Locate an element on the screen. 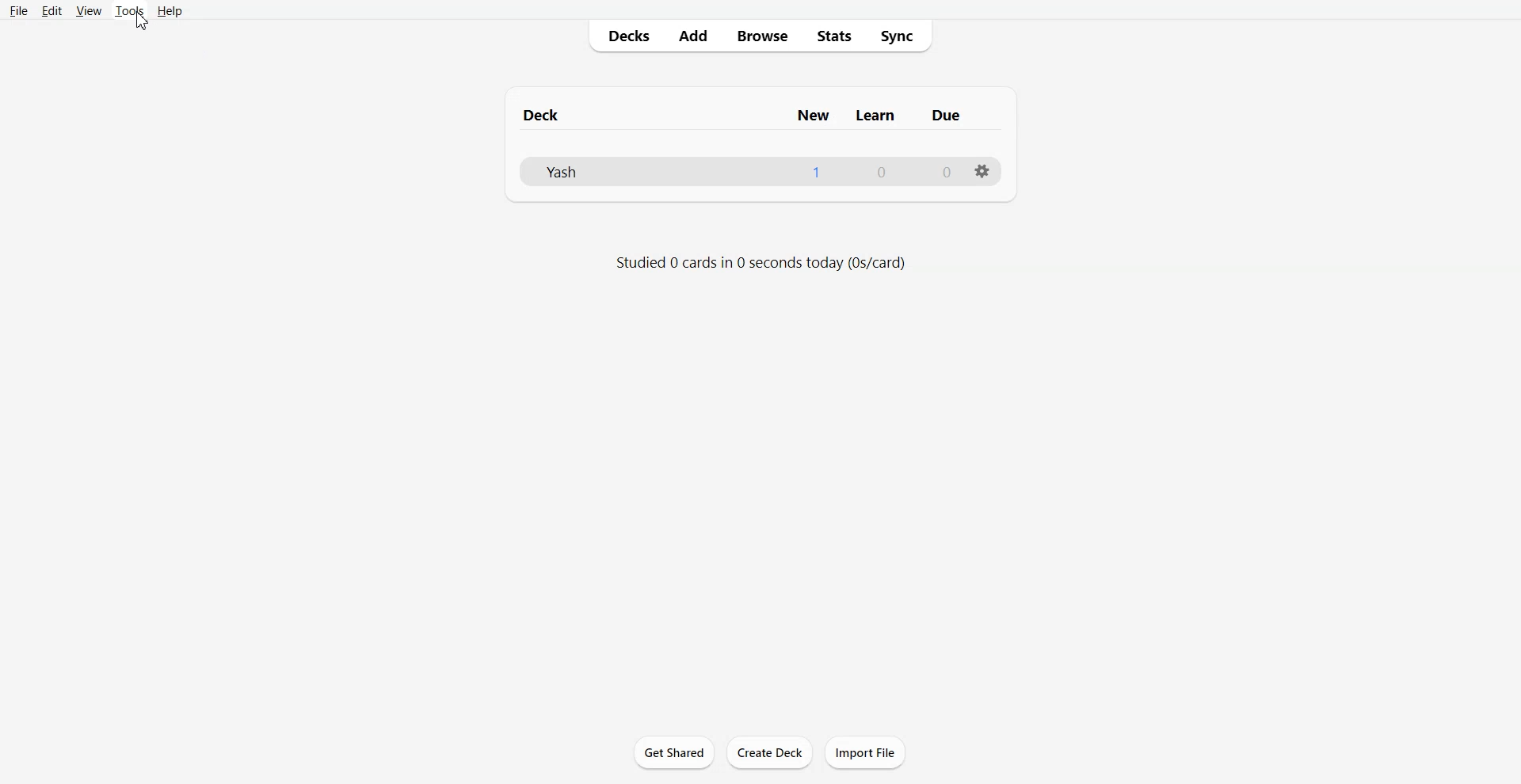  Text 1 is located at coordinates (745, 116).